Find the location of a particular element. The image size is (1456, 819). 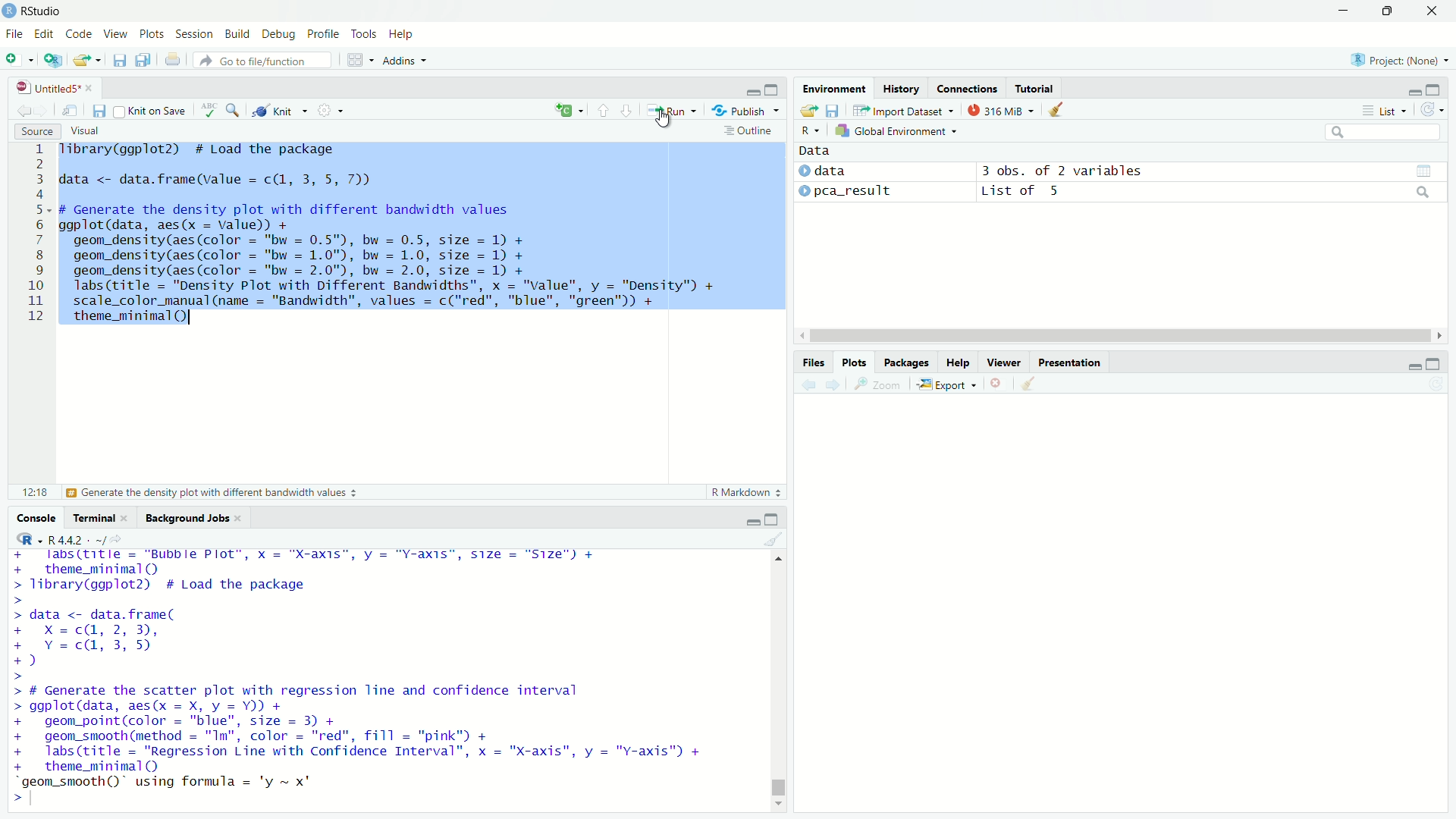

File is located at coordinates (14, 34).